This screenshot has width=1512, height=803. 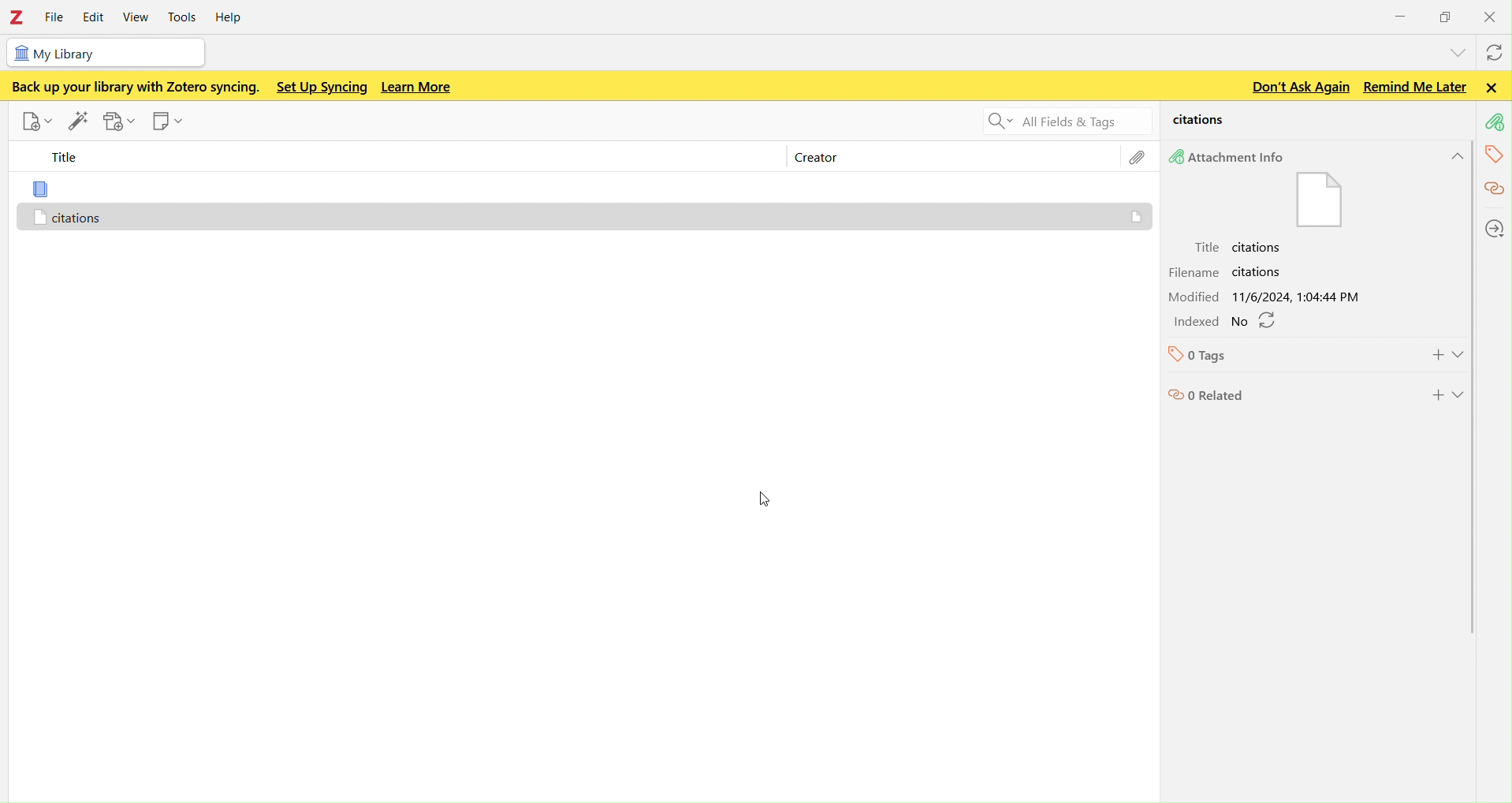 What do you see at coordinates (18, 17) in the screenshot?
I see `Zotero - logo` at bounding box center [18, 17].